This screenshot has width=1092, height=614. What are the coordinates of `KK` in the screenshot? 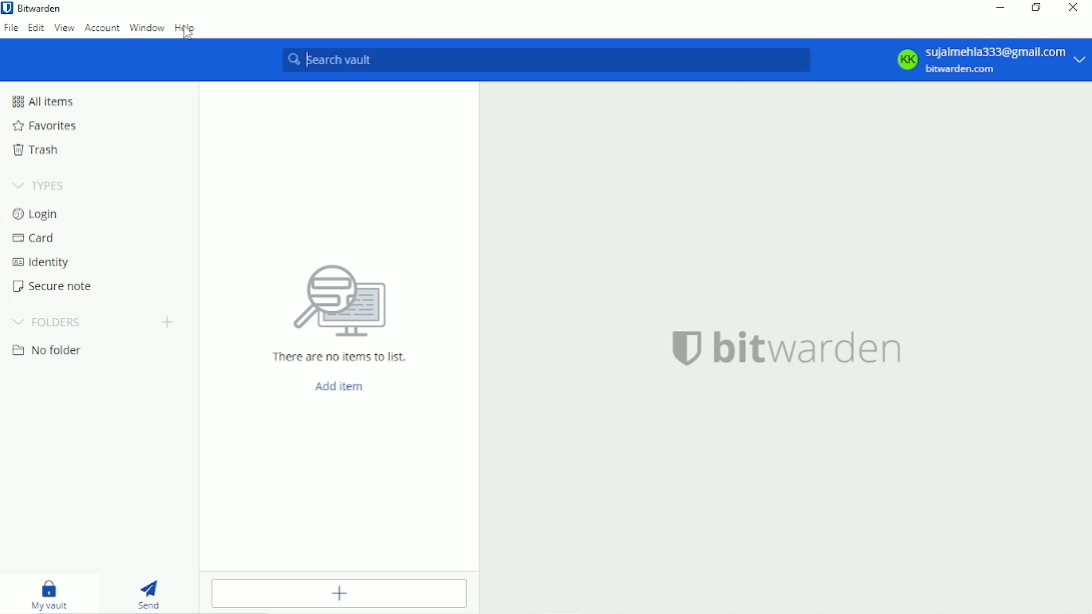 It's located at (906, 60).